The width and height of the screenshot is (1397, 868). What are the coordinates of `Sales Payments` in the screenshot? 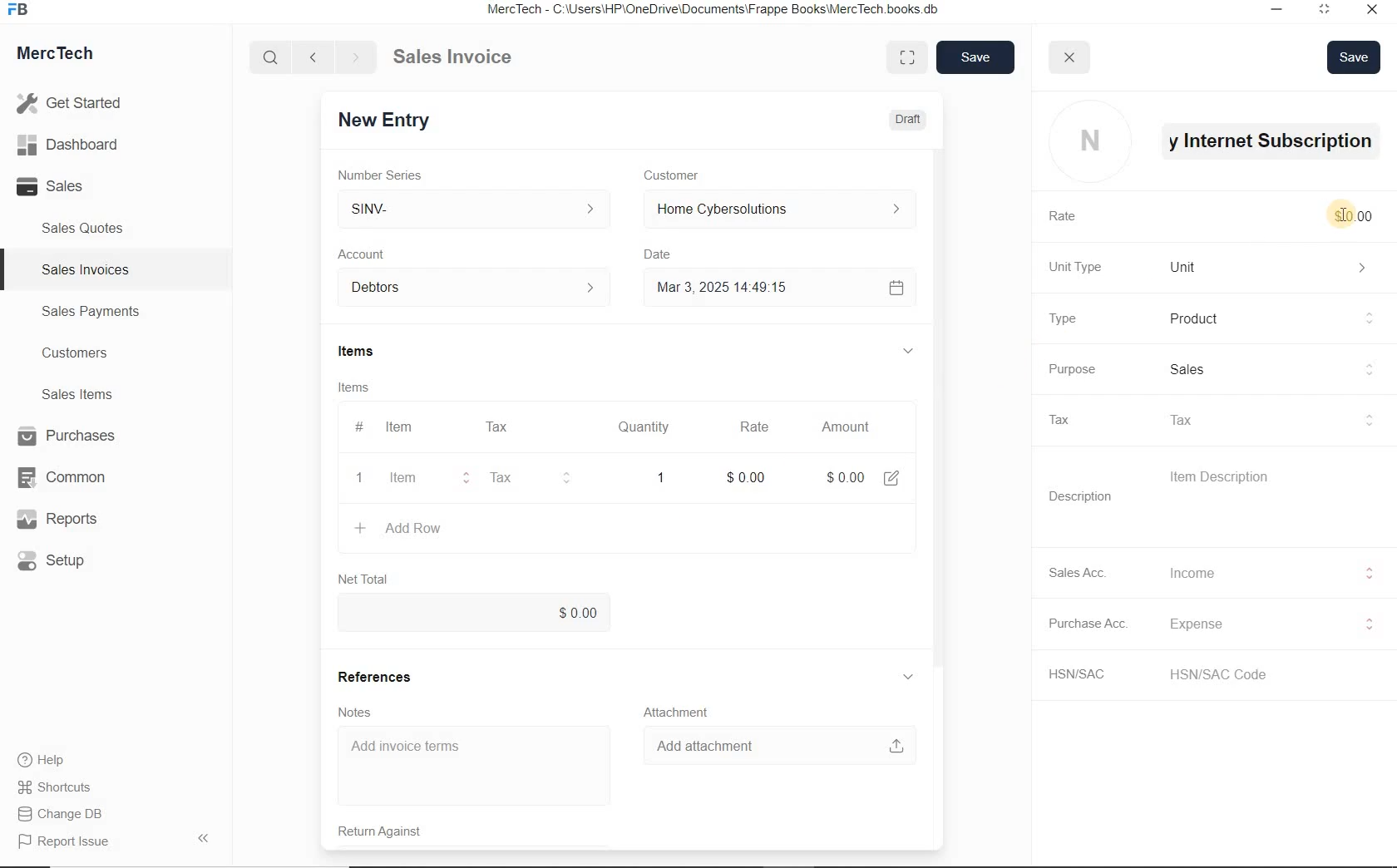 It's located at (88, 312).